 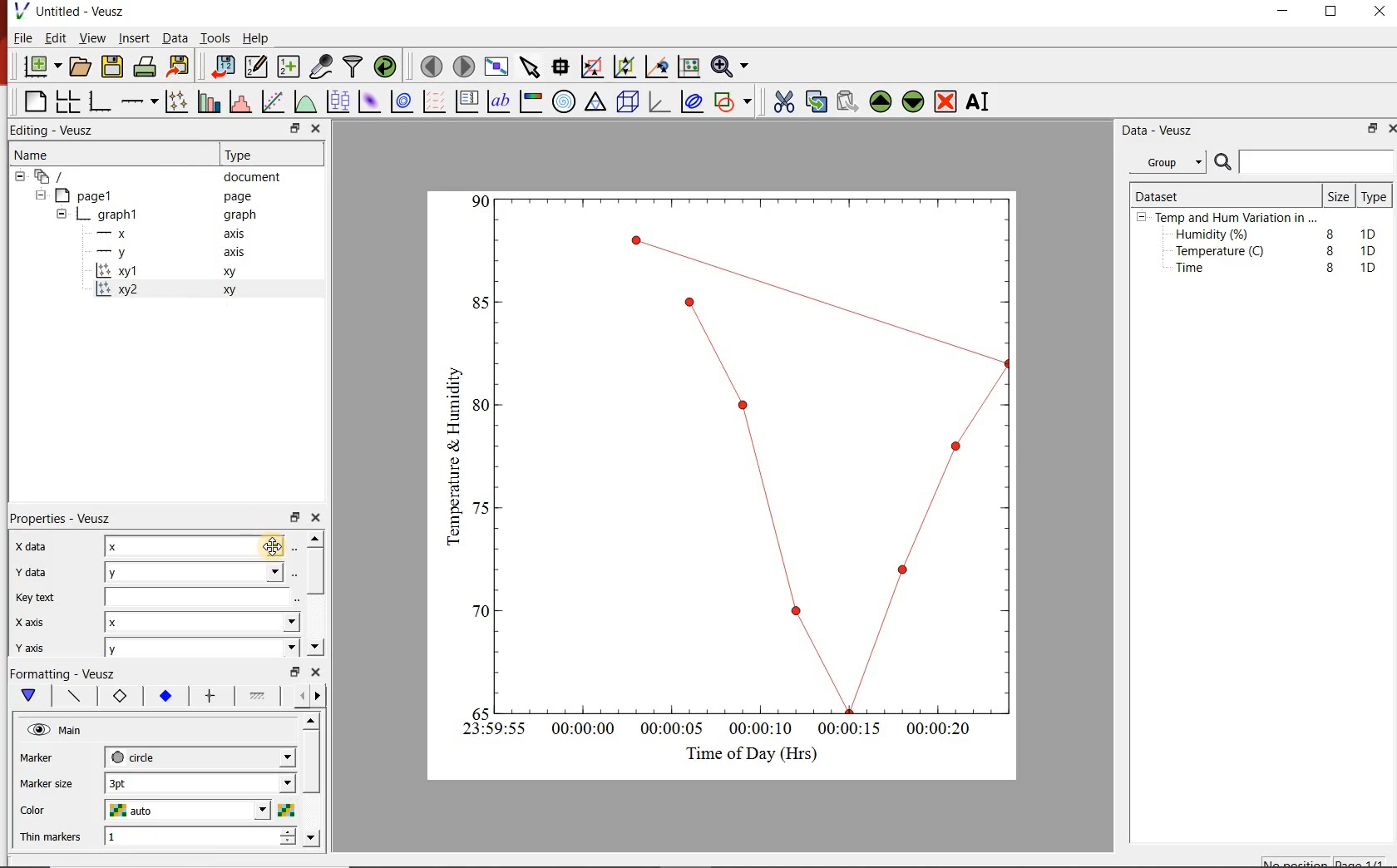 I want to click on hide sub menu, so click(x=62, y=213).